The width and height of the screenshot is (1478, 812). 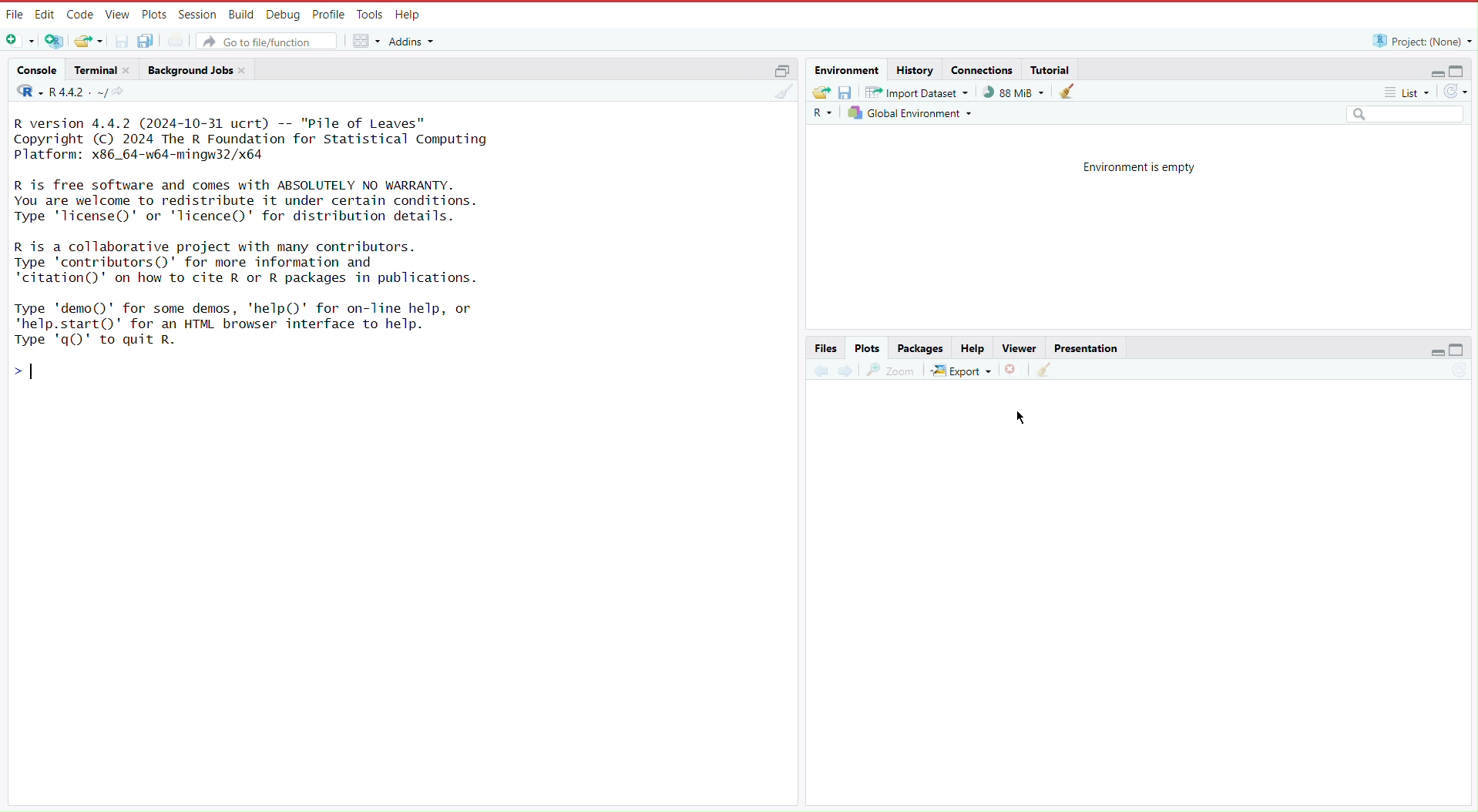 I want to click on Close, so click(x=1013, y=368).